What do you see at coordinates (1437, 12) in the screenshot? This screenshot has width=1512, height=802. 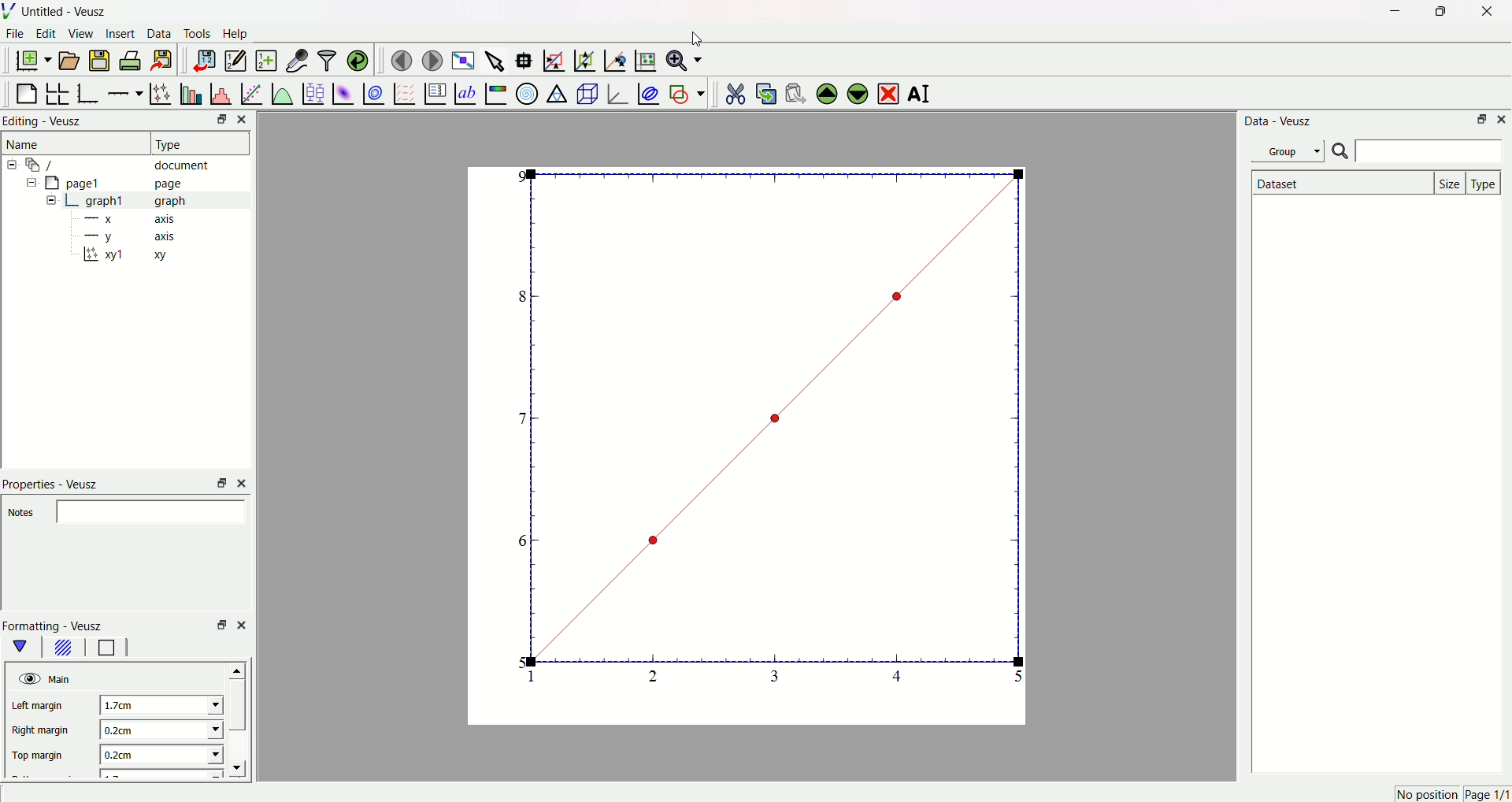 I see `Maximize` at bounding box center [1437, 12].